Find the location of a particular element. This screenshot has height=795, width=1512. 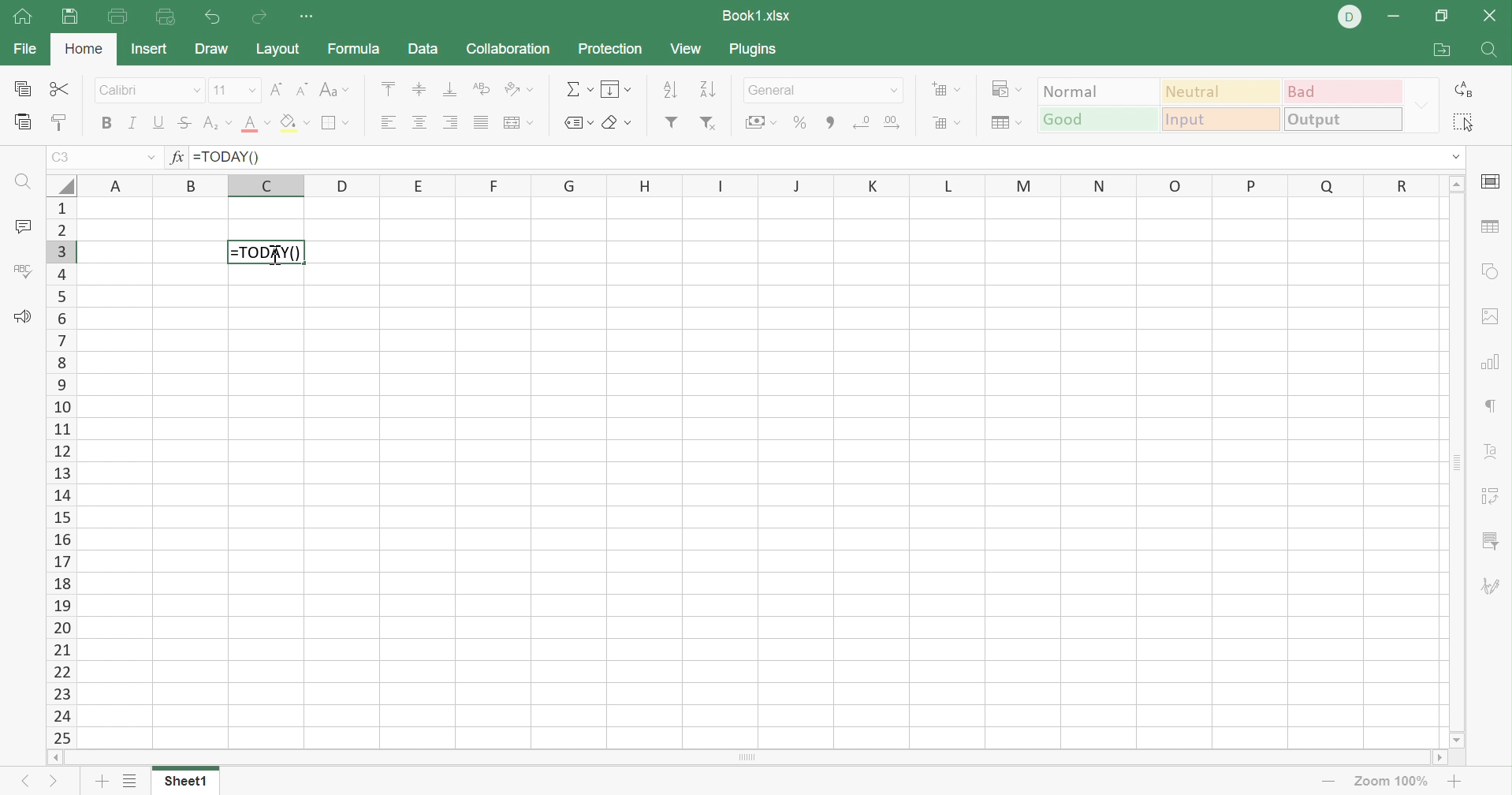

Copy Style is located at coordinates (60, 123).